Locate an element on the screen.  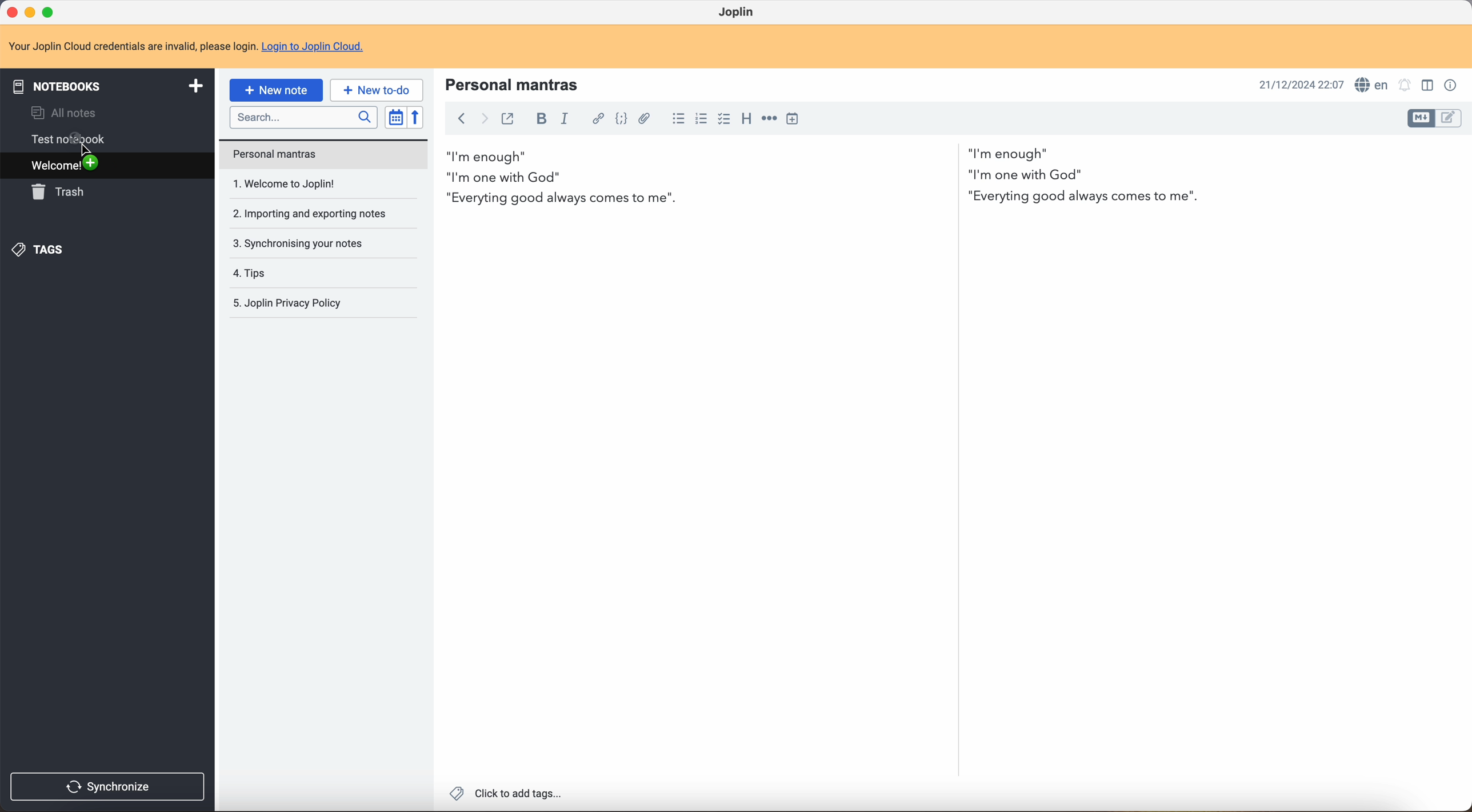
reverse sort order is located at coordinates (415, 118).